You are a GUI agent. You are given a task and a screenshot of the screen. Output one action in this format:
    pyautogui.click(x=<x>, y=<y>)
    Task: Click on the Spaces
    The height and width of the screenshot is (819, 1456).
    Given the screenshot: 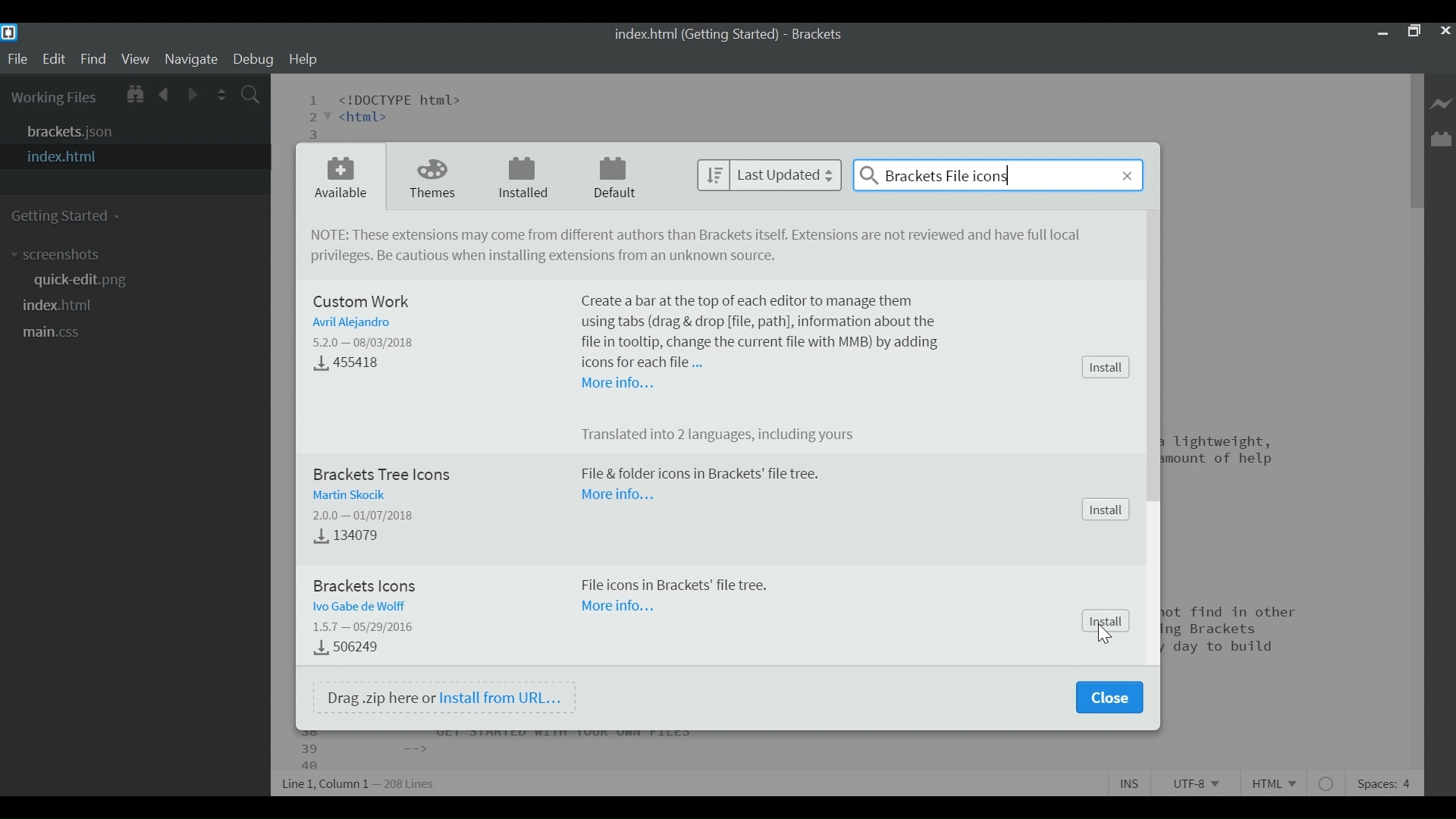 What is the action you would take?
    pyautogui.click(x=1385, y=782)
    